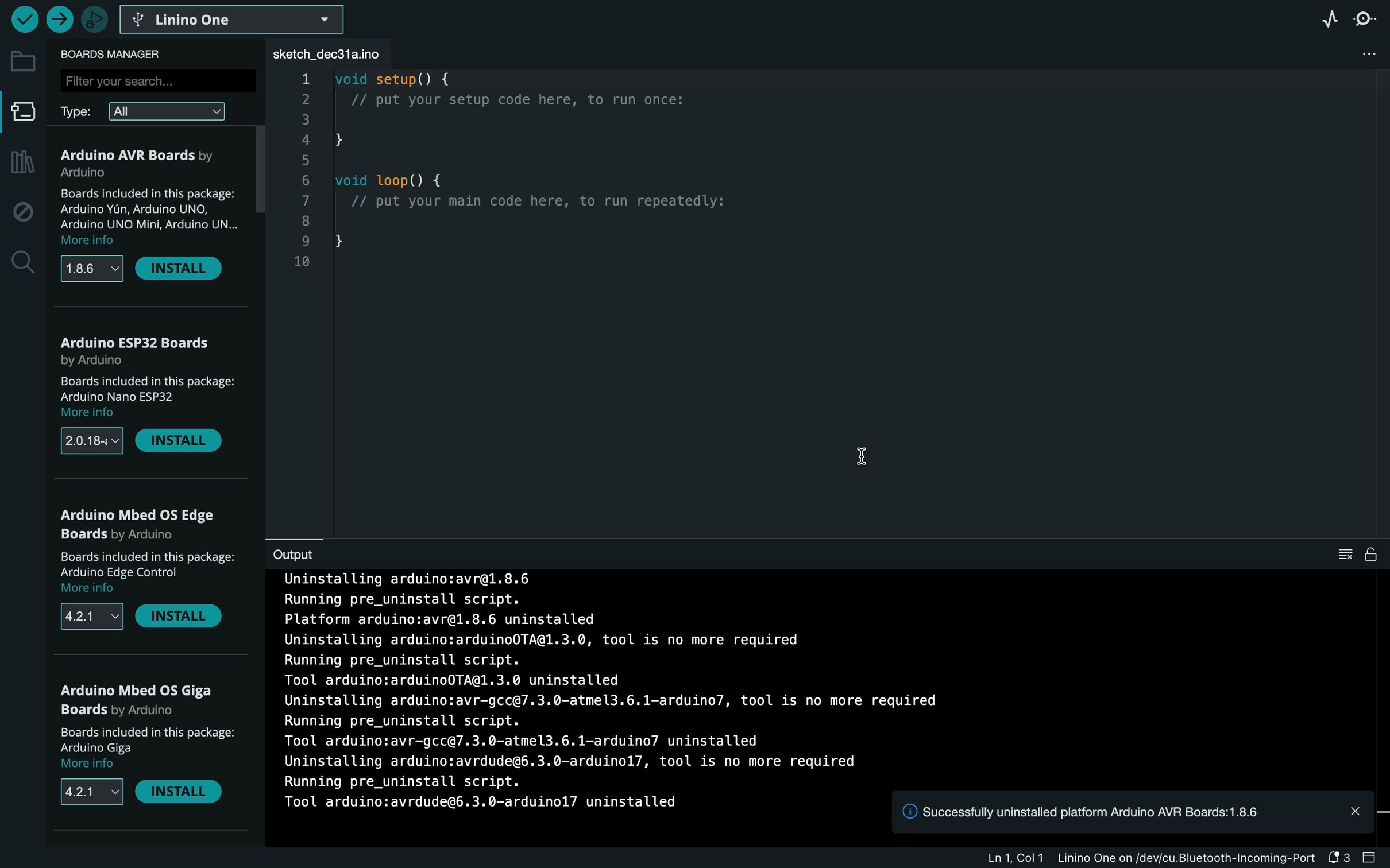 The height and width of the screenshot is (868, 1390). I want to click on description, so click(149, 564).